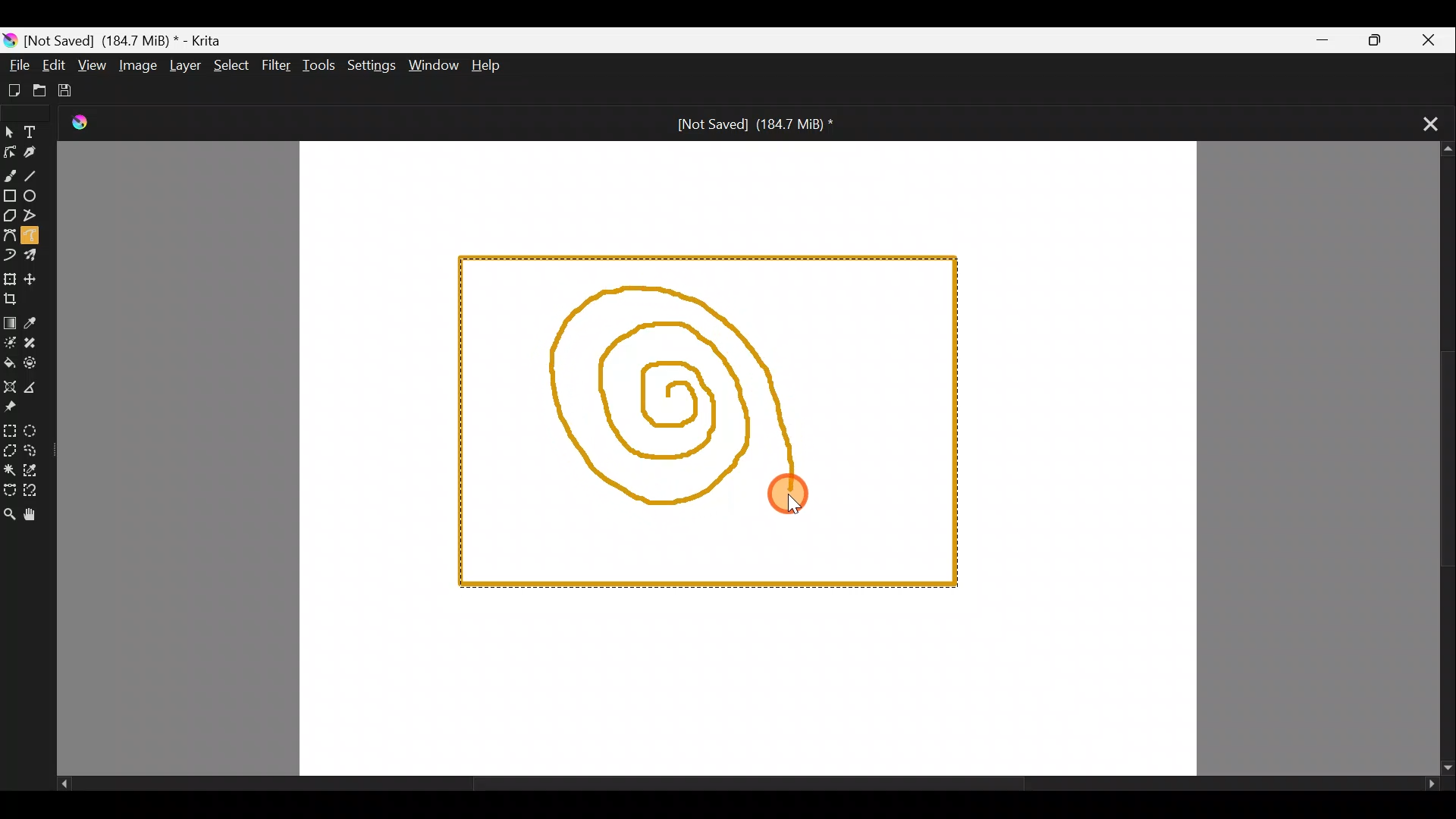 The image size is (1456, 819). I want to click on Edit, so click(47, 64).